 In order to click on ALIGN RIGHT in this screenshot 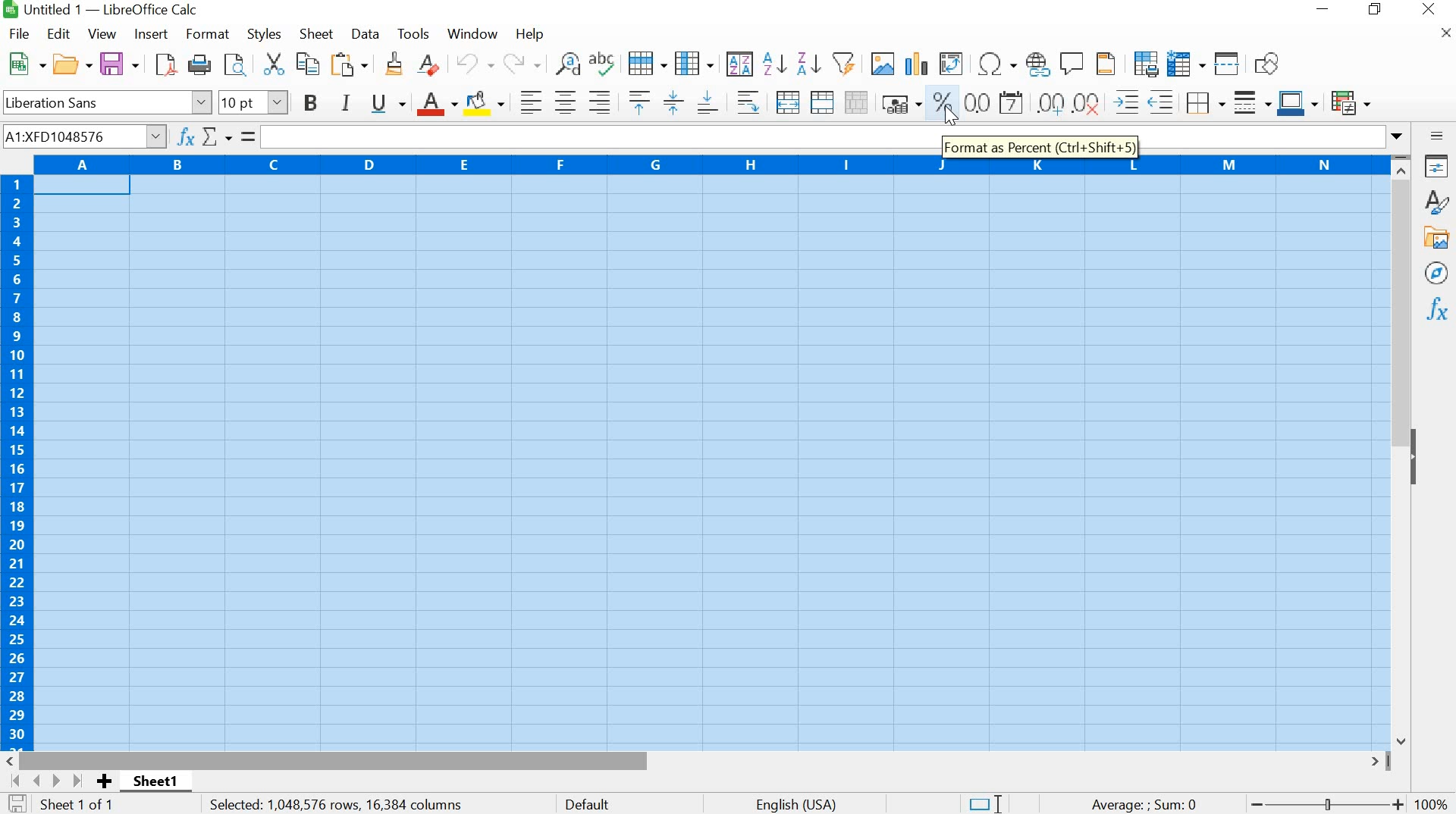, I will do `click(750, 102)`.